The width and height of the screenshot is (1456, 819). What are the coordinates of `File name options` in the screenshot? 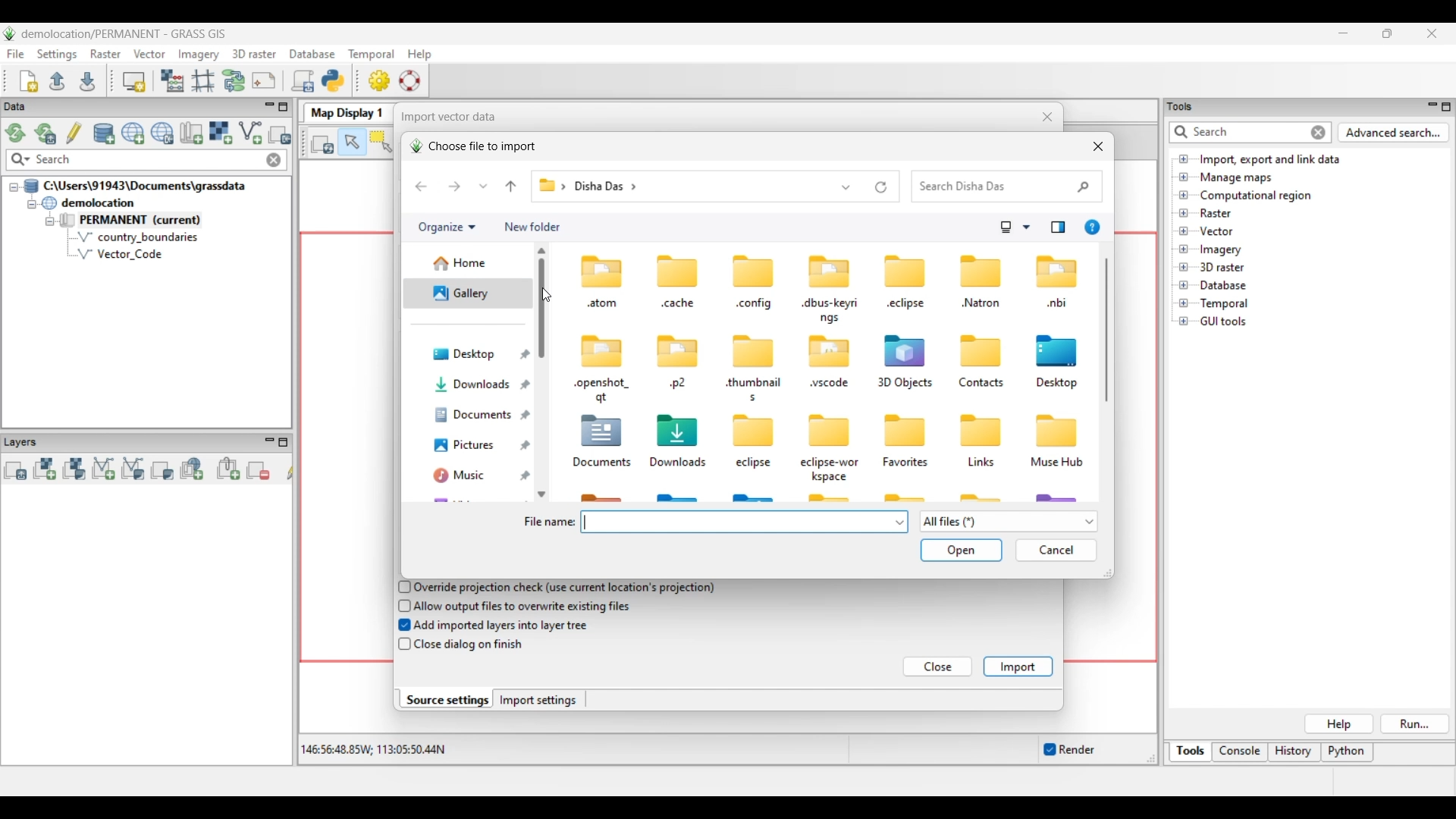 It's located at (900, 522).